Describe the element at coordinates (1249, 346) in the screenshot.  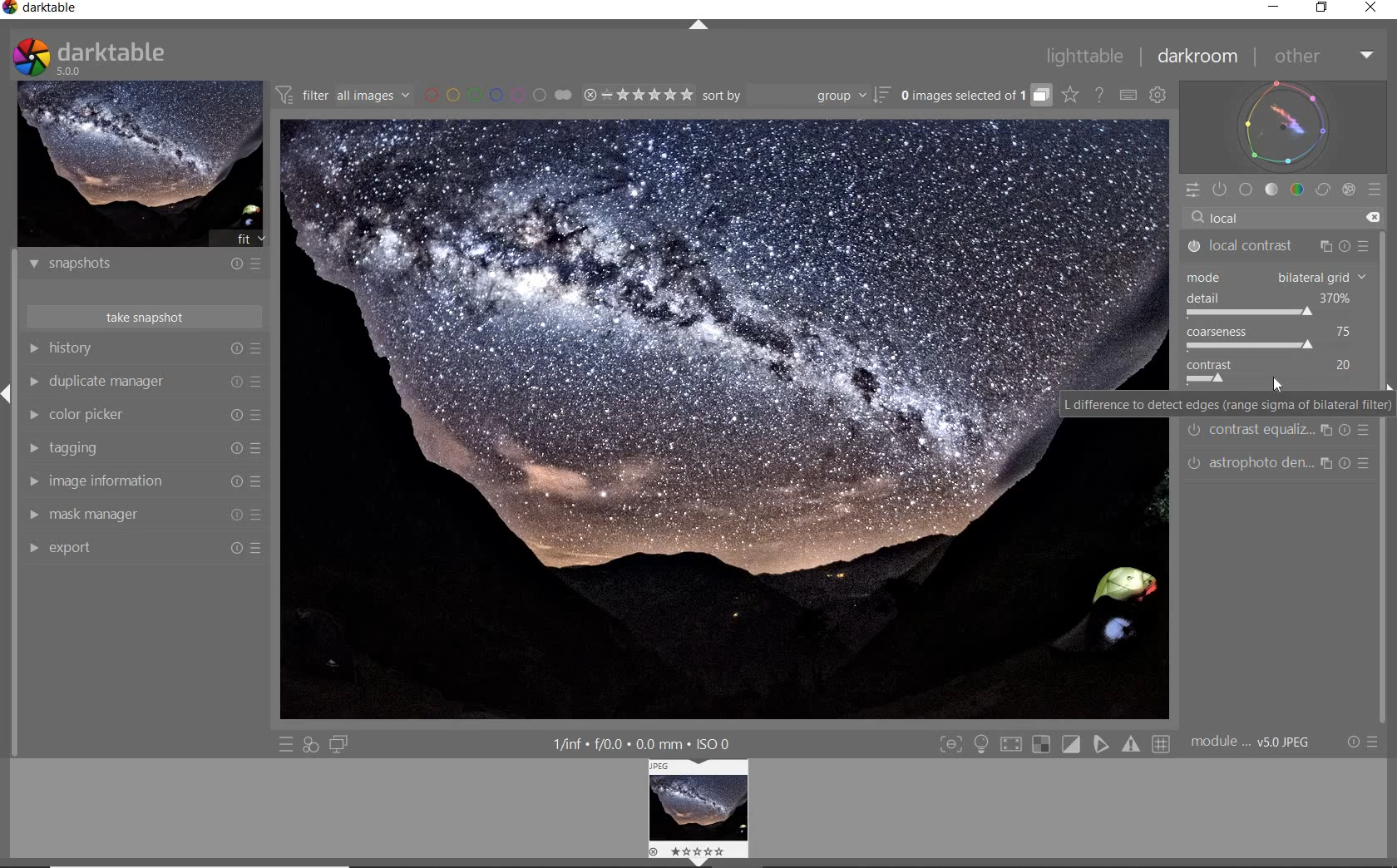
I see `coarseness slider` at that location.